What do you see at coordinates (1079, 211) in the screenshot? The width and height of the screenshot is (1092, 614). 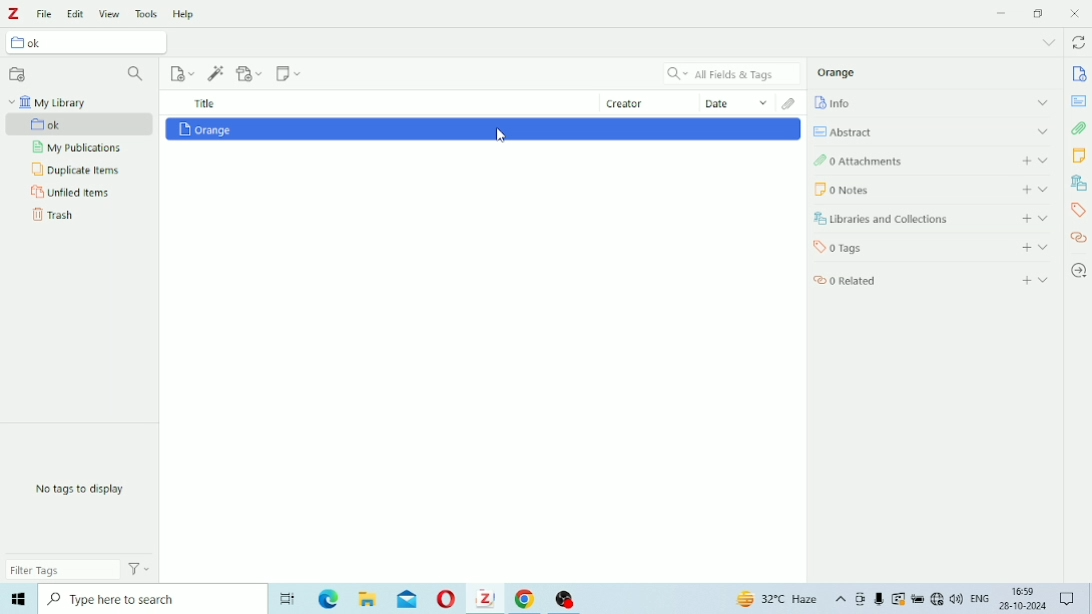 I see `Tags` at bounding box center [1079, 211].